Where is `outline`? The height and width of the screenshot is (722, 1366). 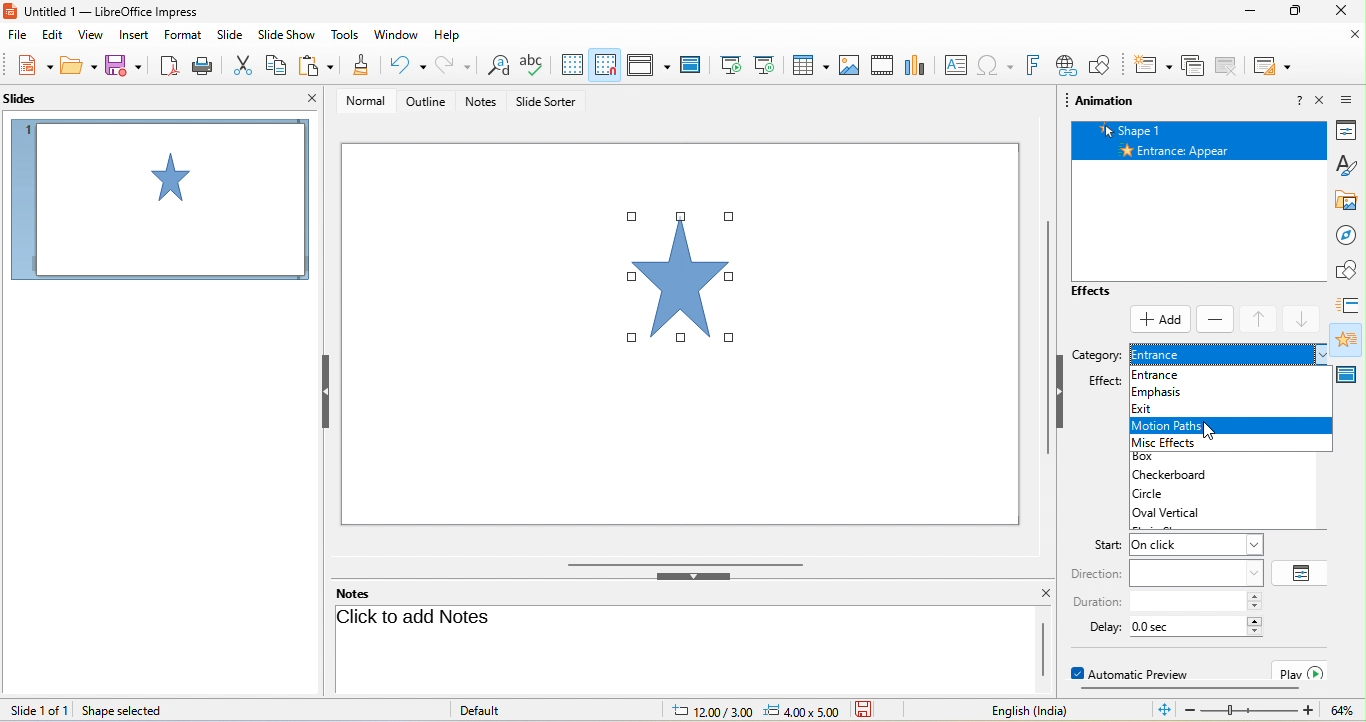 outline is located at coordinates (429, 105).